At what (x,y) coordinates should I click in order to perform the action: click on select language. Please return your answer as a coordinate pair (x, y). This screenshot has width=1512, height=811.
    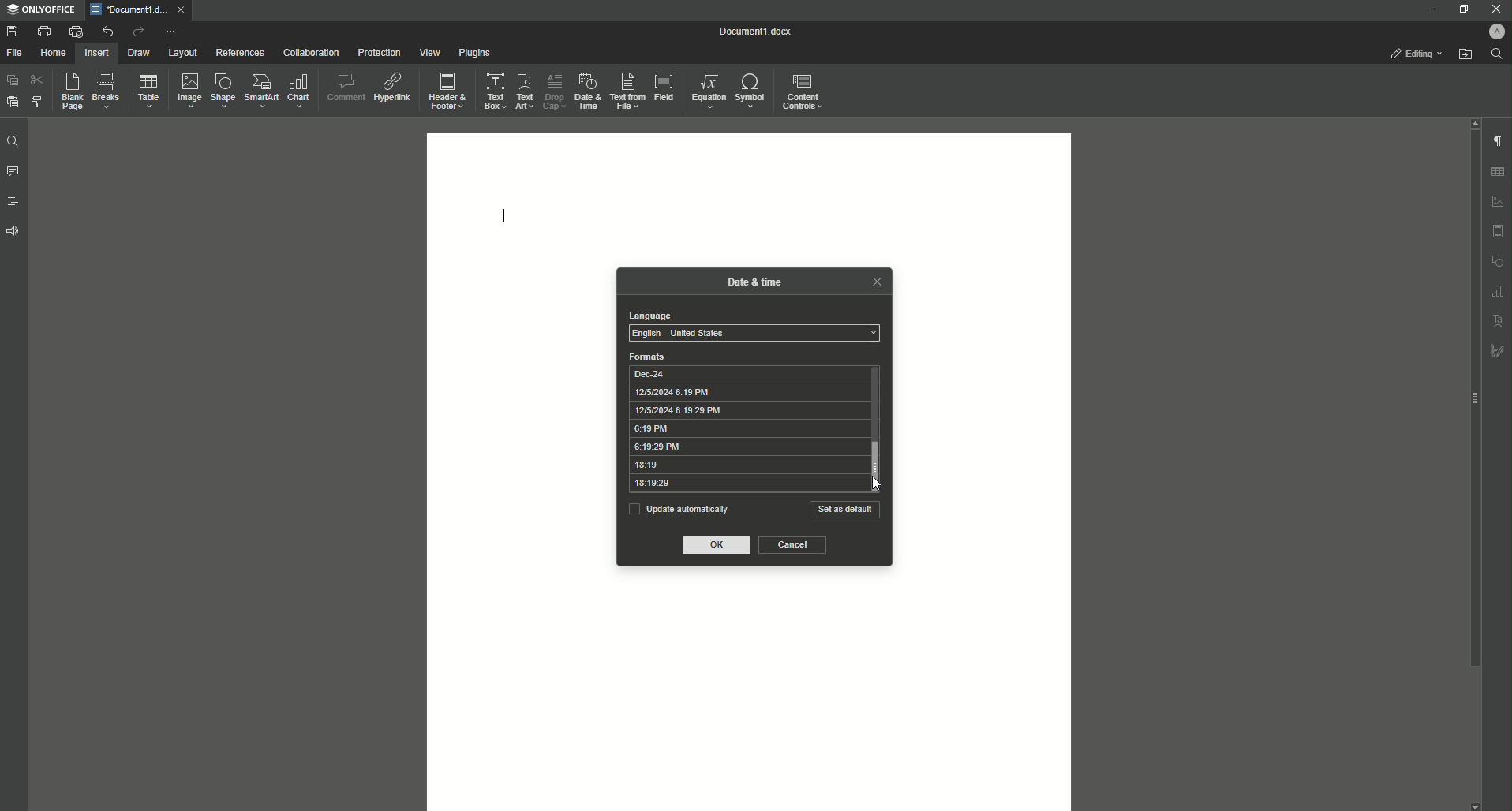
    Looking at the image, I should click on (754, 334).